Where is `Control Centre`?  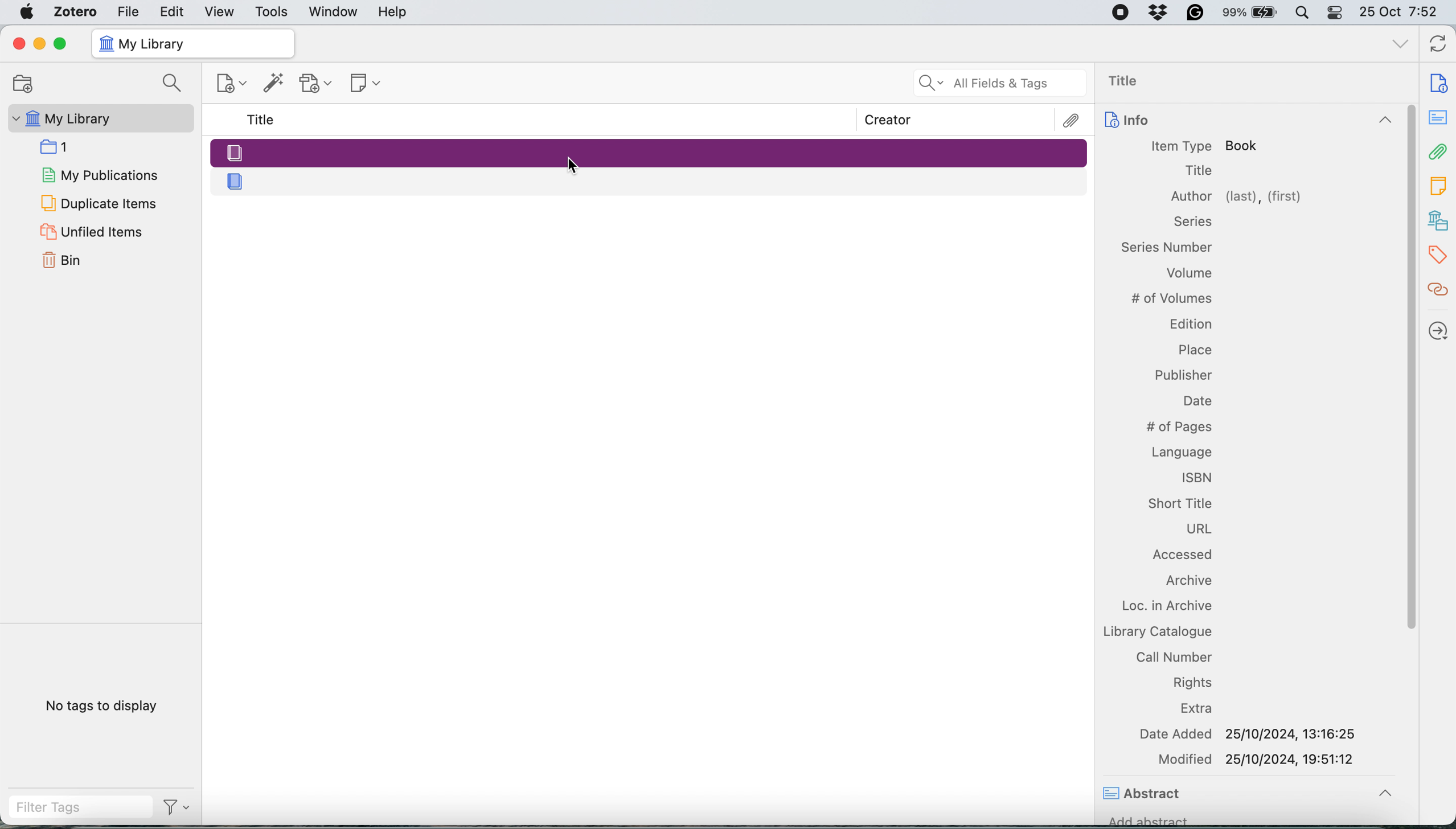
Control Centre is located at coordinates (1336, 12).